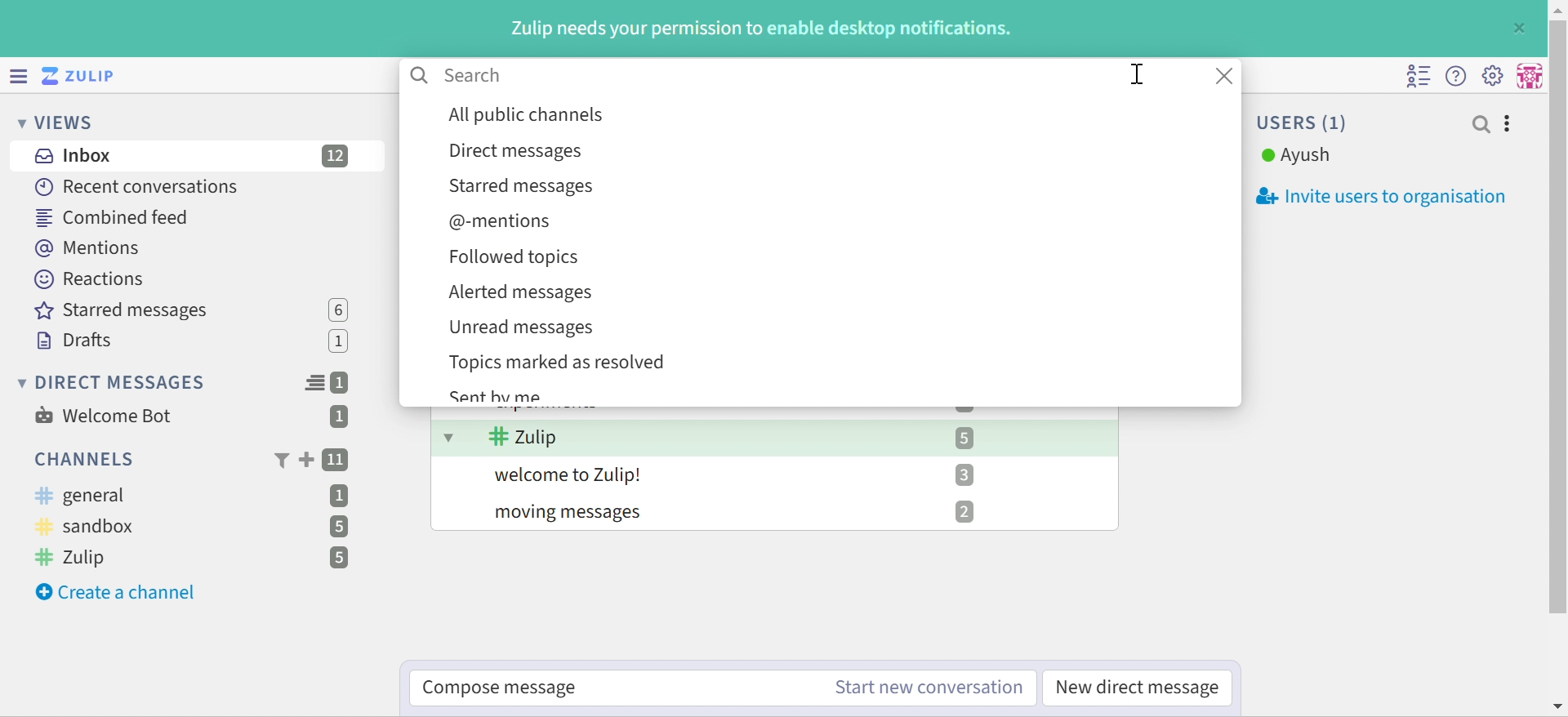 This screenshot has width=1568, height=717. What do you see at coordinates (964, 438) in the screenshot?
I see `5` at bounding box center [964, 438].